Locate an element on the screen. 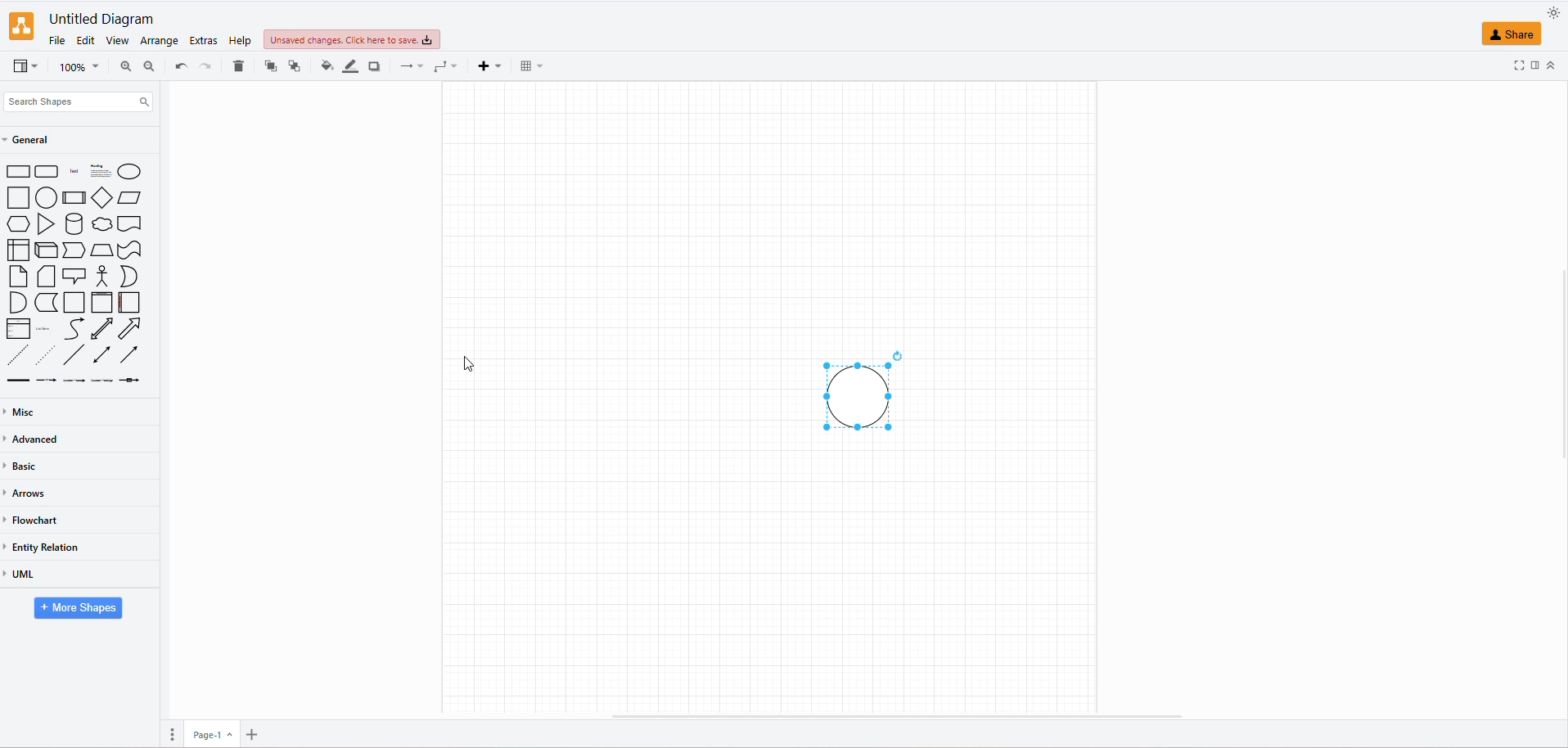  ACTOR is located at coordinates (103, 276).